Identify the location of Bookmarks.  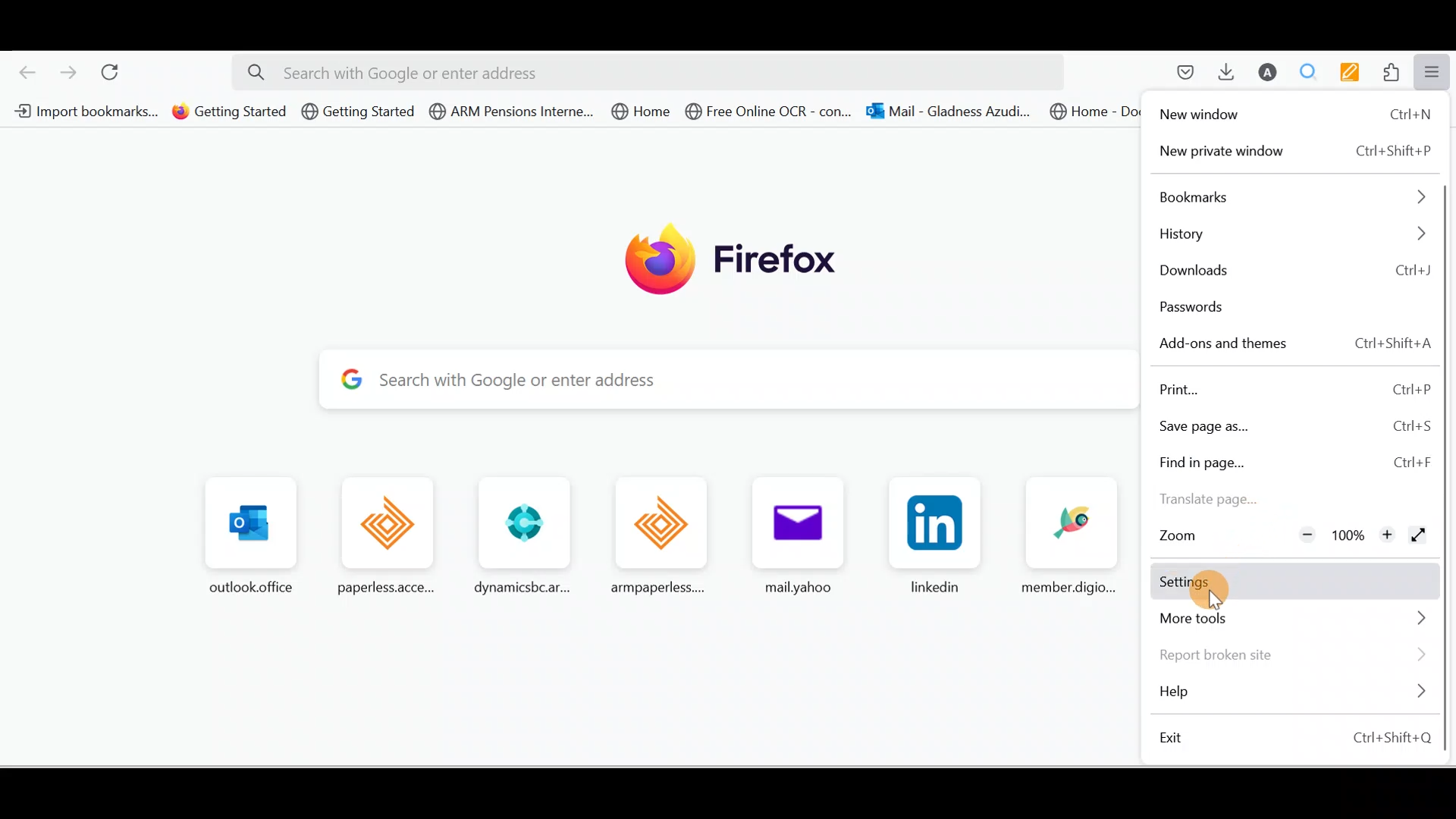
(1286, 197).